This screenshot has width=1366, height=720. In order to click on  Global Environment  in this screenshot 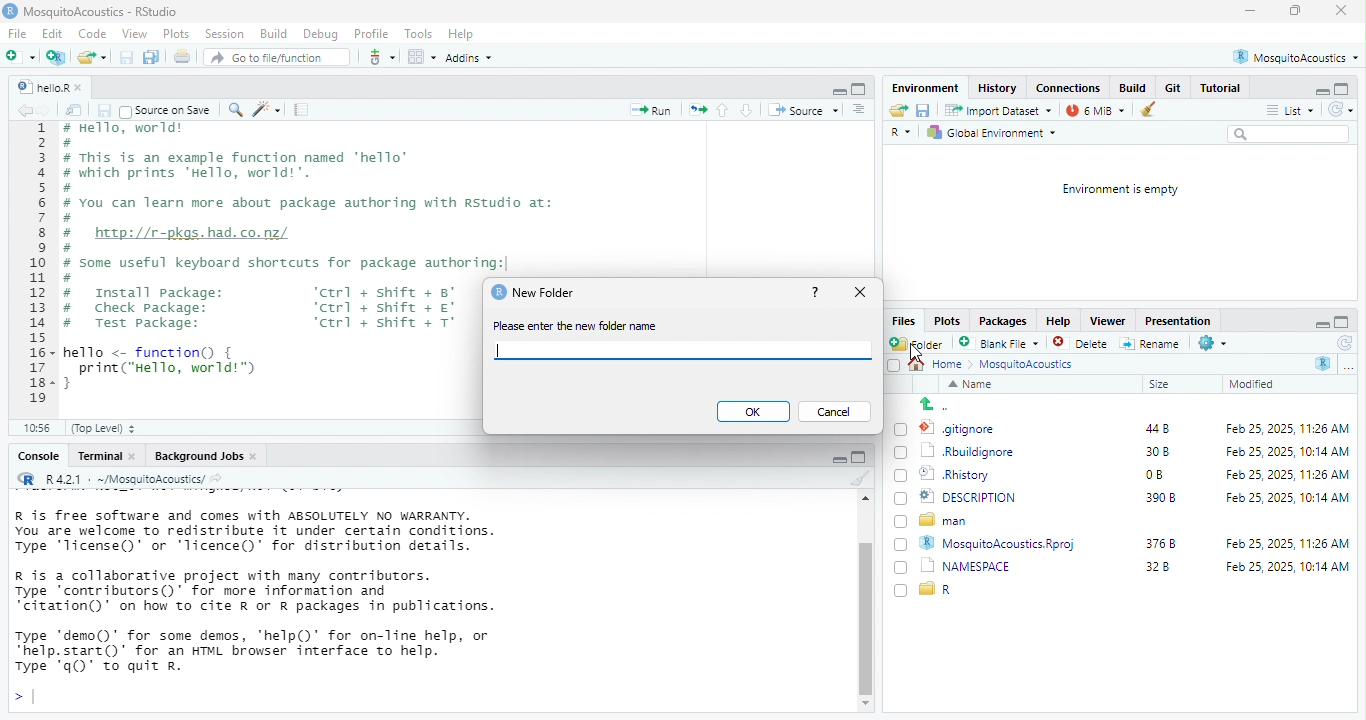, I will do `click(996, 134)`.